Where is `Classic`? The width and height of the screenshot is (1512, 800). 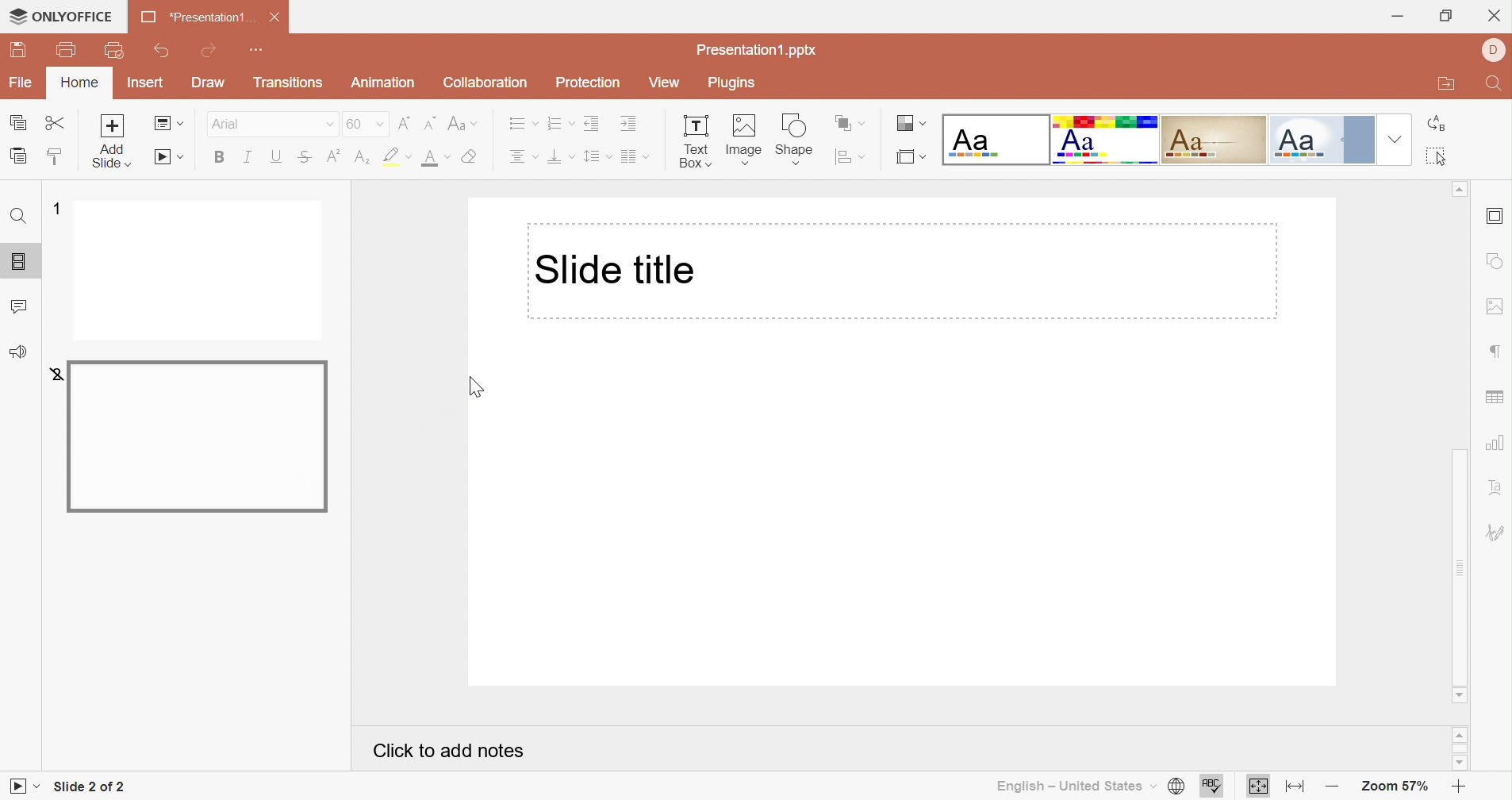
Classic is located at coordinates (1212, 140).